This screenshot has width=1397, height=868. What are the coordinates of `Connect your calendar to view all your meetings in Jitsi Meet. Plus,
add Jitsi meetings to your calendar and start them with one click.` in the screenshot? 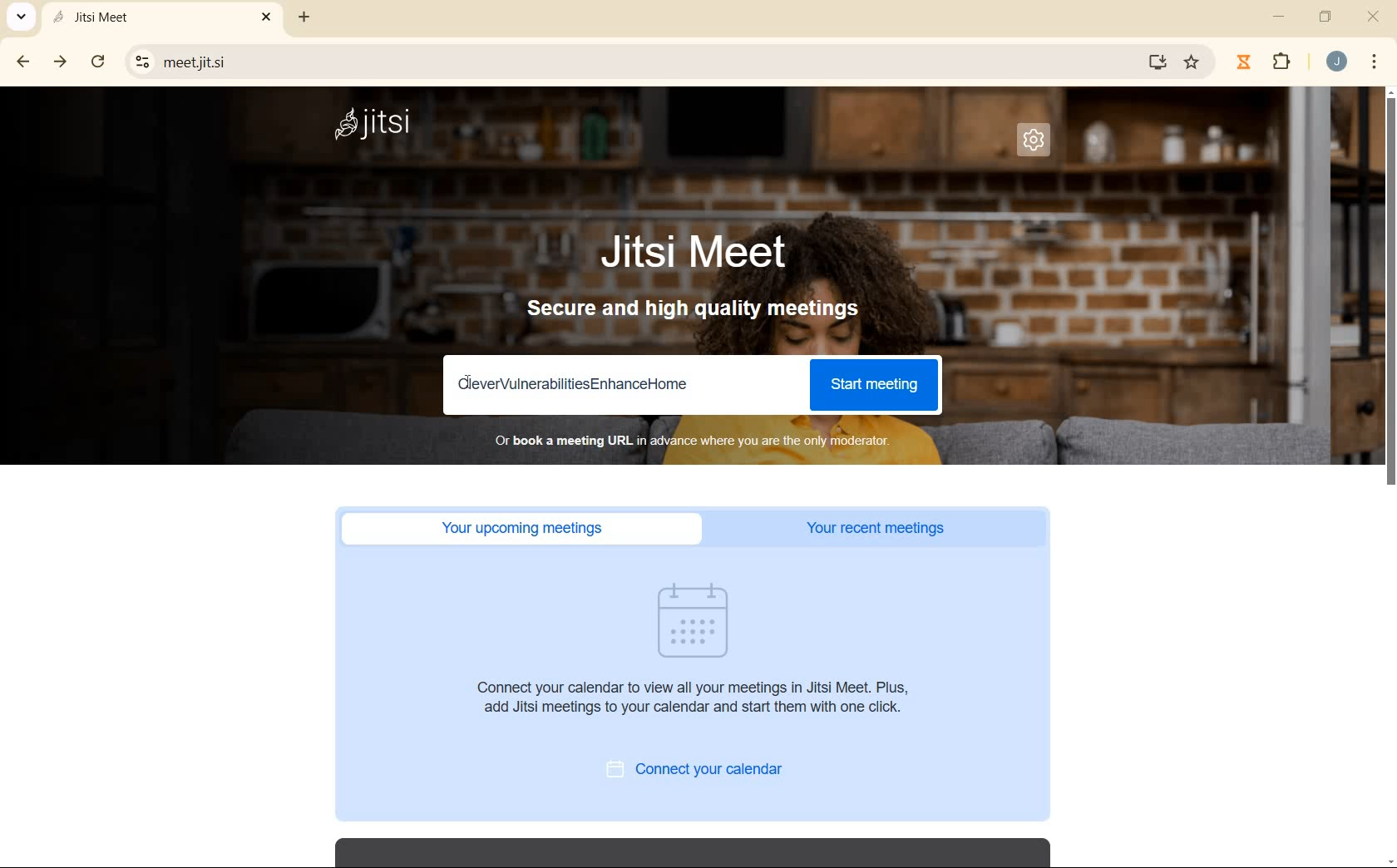 It's located at (702, 705).